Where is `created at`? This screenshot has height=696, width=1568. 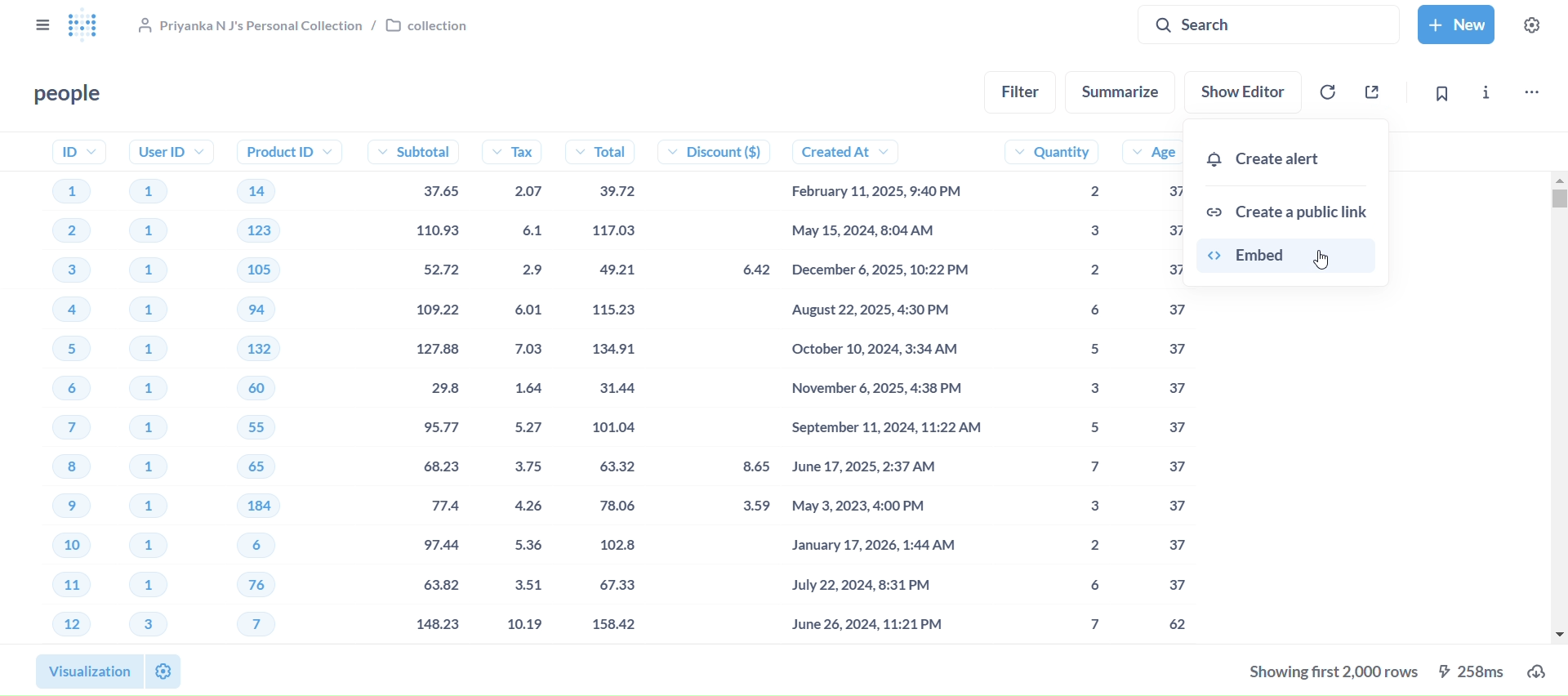
created at is located at coordinates (889, 388).